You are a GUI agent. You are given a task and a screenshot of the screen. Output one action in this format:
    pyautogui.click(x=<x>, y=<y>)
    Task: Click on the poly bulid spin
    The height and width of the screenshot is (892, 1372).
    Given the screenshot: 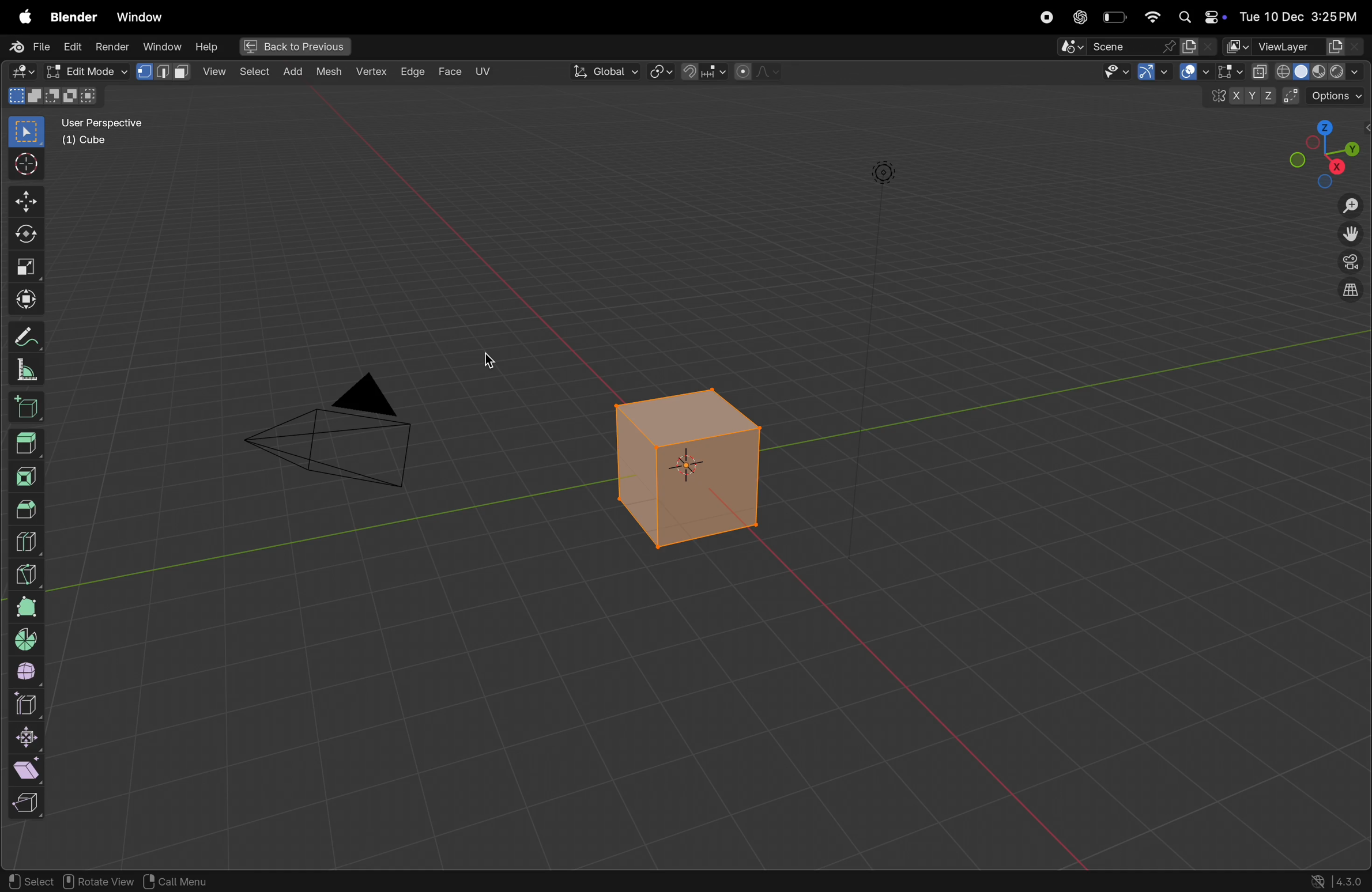 What is the action you would take?
    pyautogui.click(x=26, y=607)
    